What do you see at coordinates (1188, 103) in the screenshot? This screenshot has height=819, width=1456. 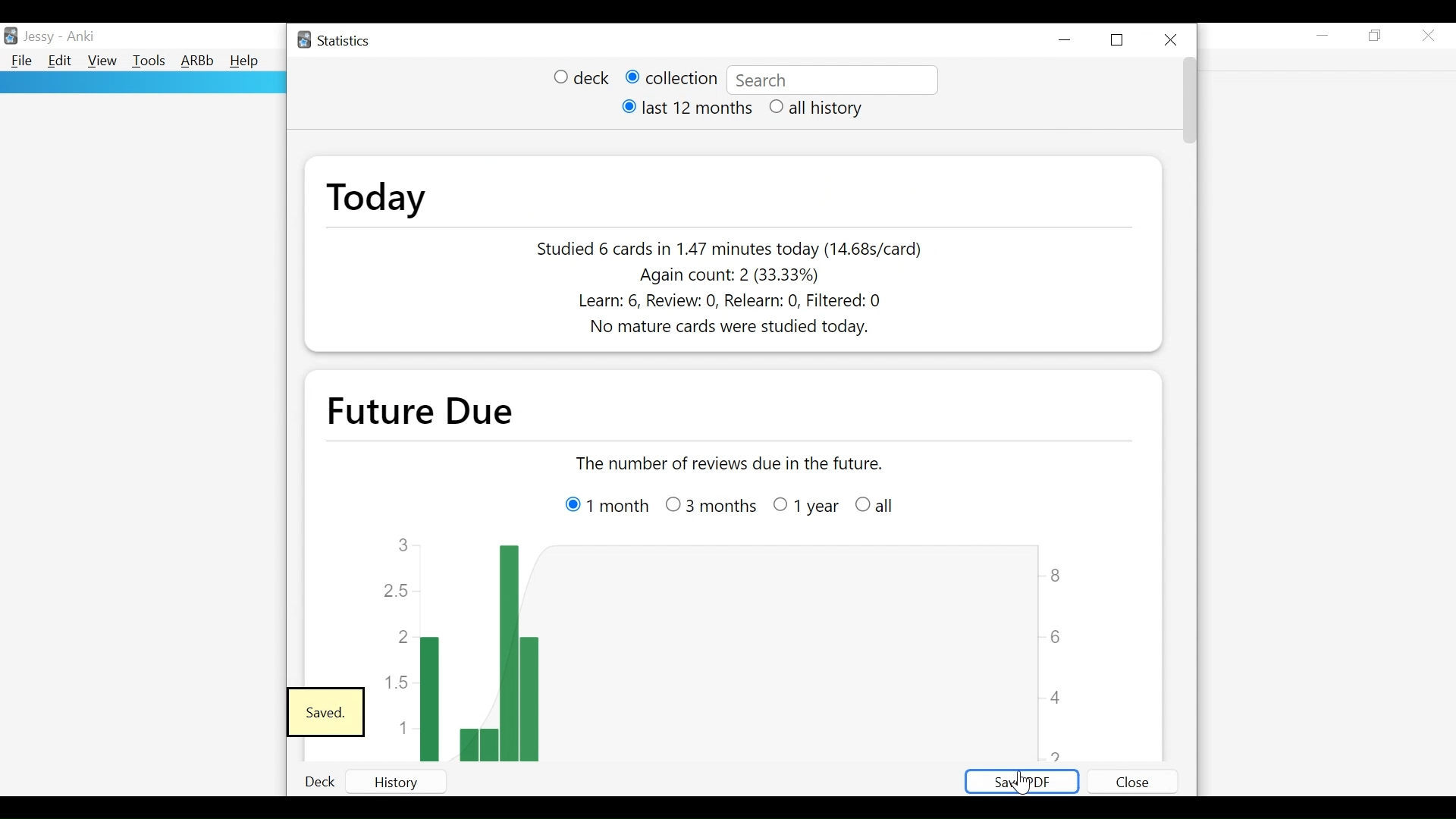 I see `Vertical Scroll bar` at bounding box center [1188, 103].